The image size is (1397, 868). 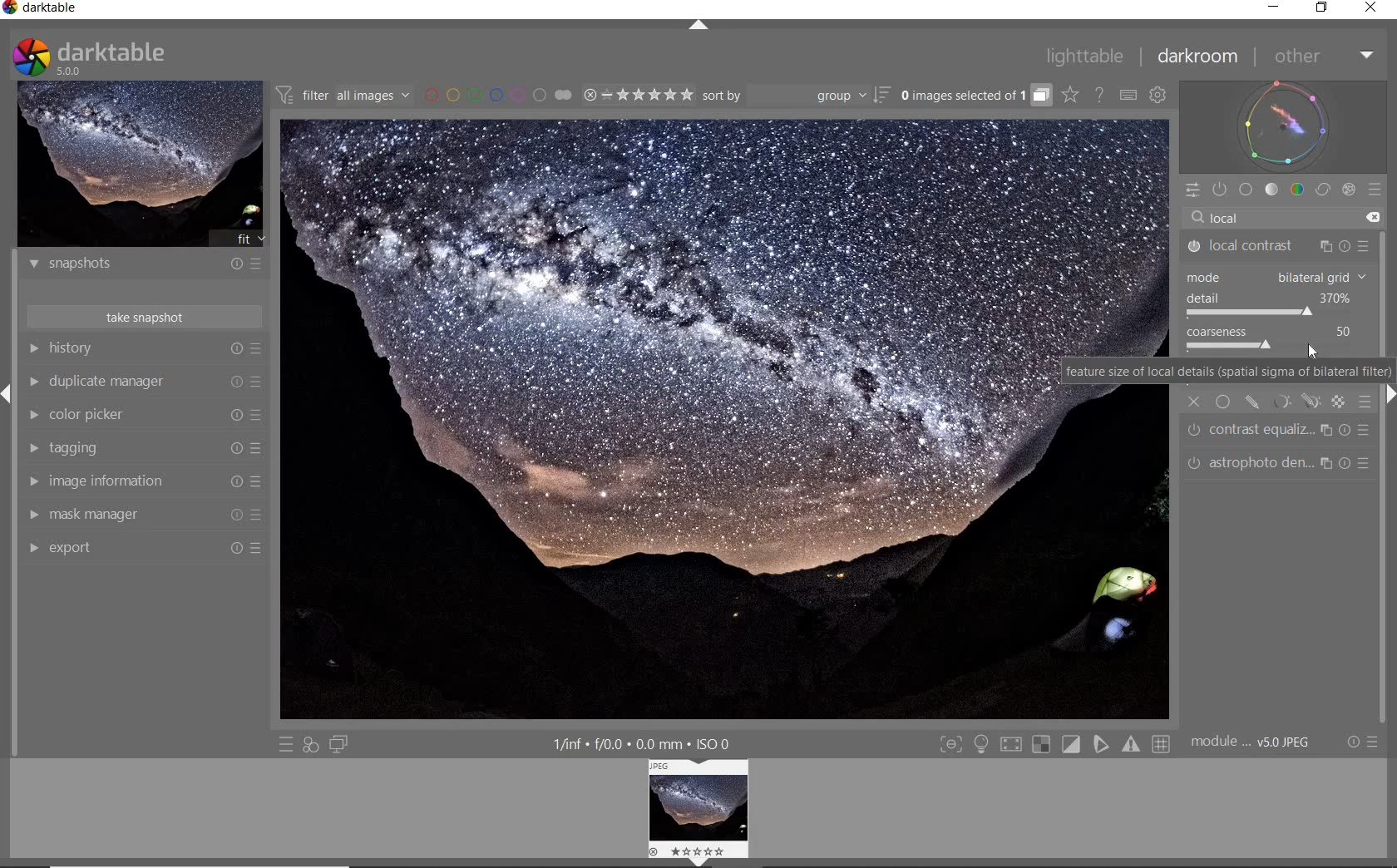 I want to click on RESTORE, so click(x=1323, y=8).